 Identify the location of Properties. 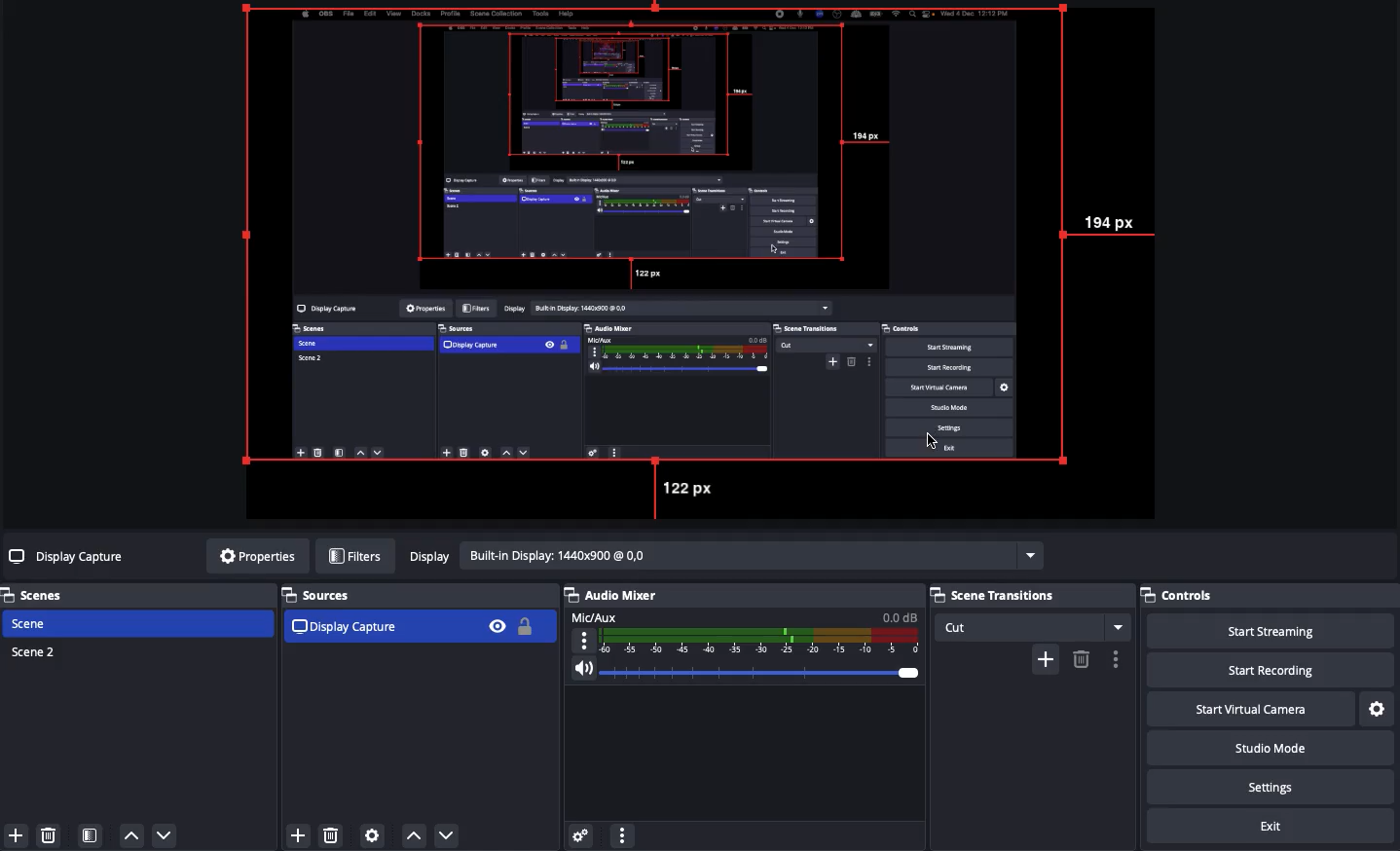
(252, 556).